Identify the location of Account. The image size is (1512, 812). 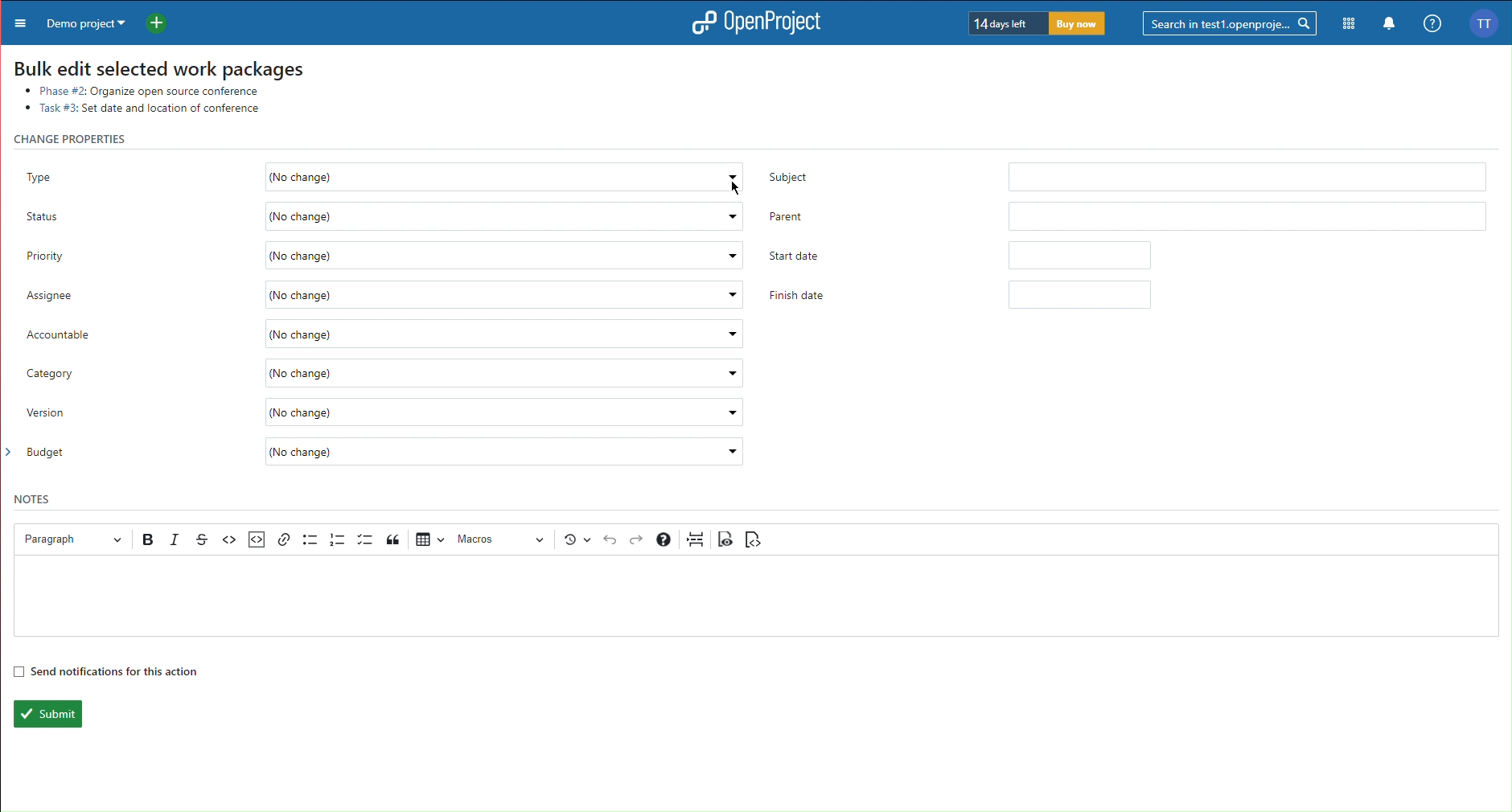
(1489, 23).